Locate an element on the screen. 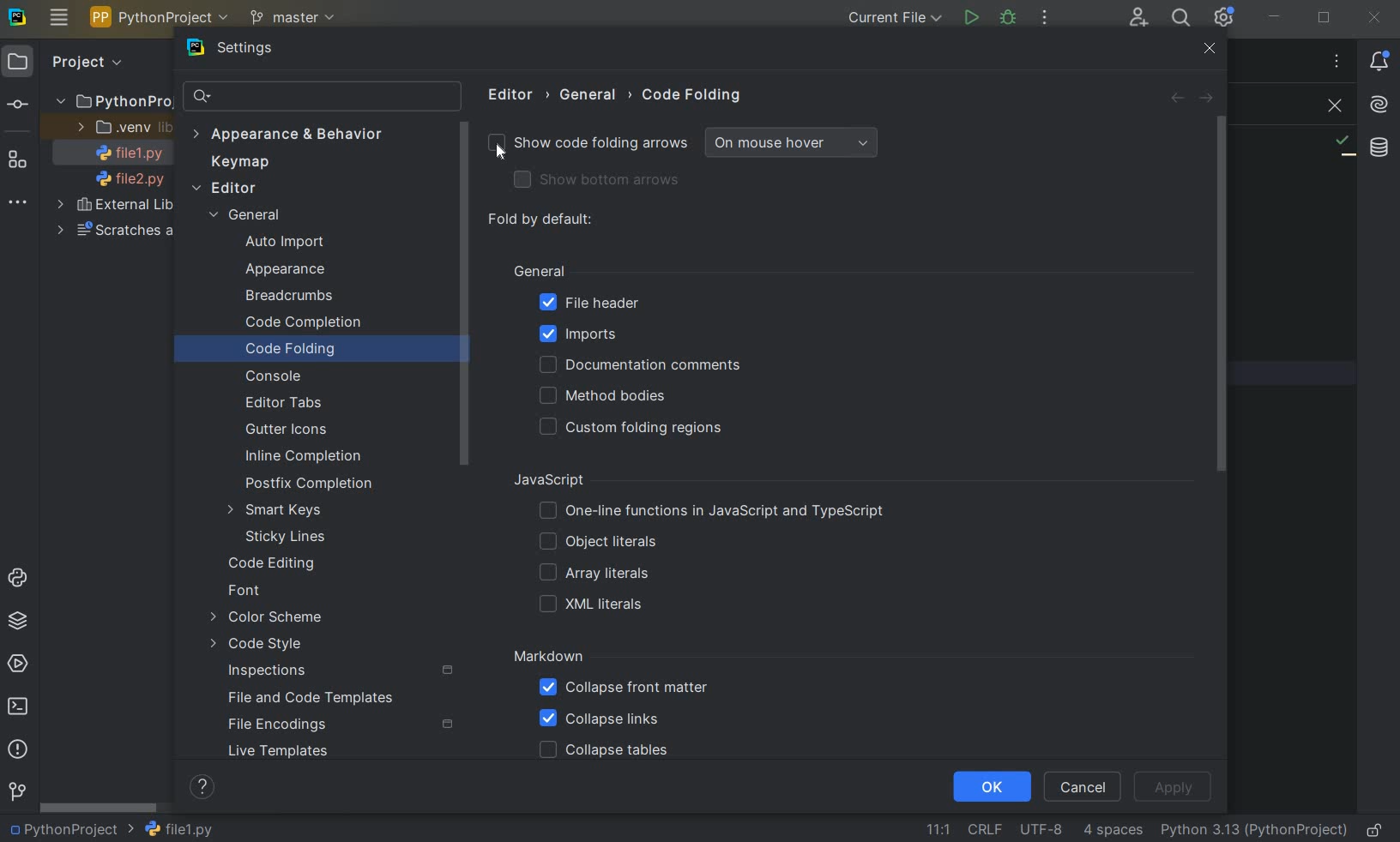  APPEARANCE is located at coordinates (301, 271).